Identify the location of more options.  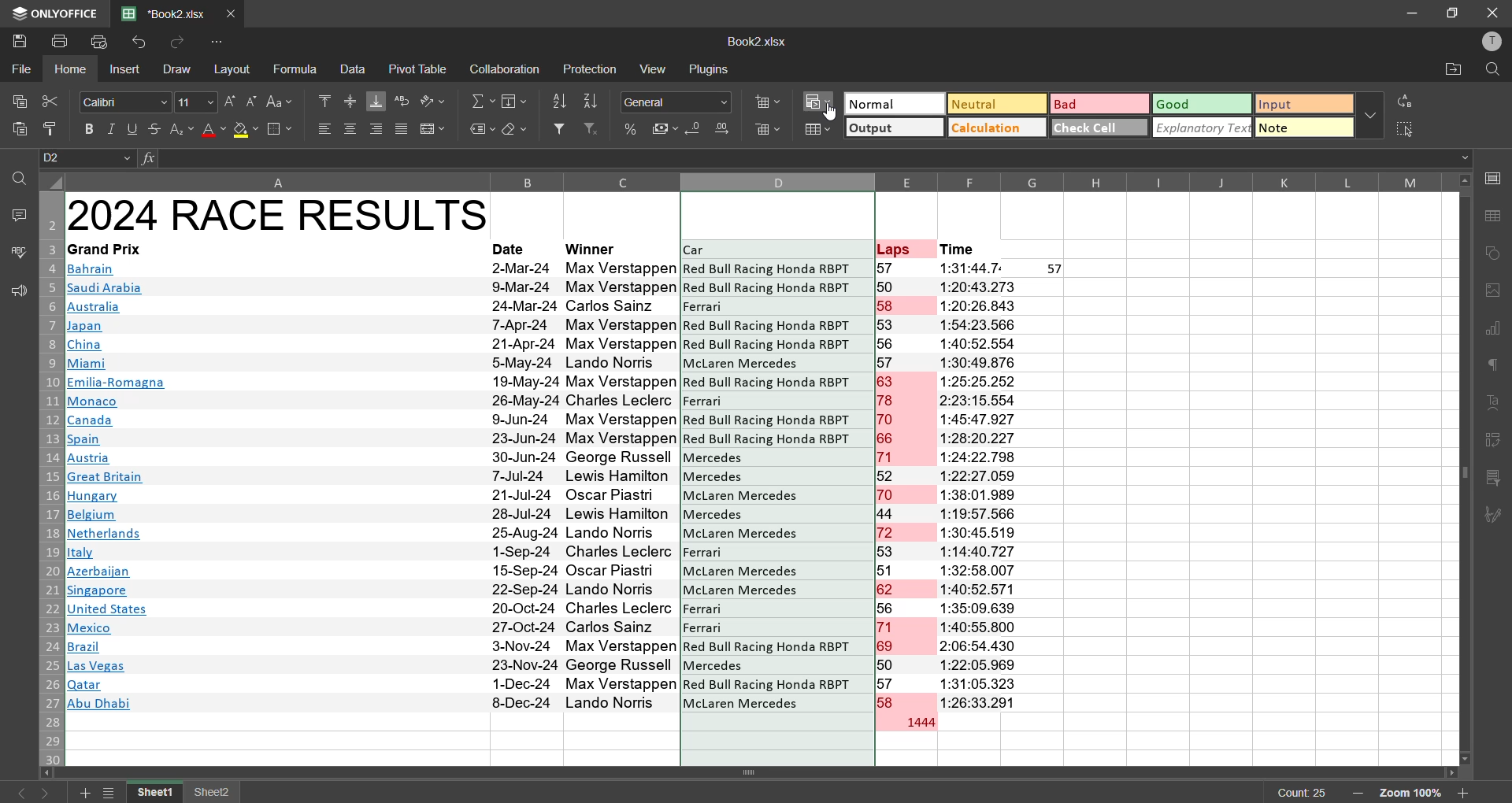
(1369, 114).